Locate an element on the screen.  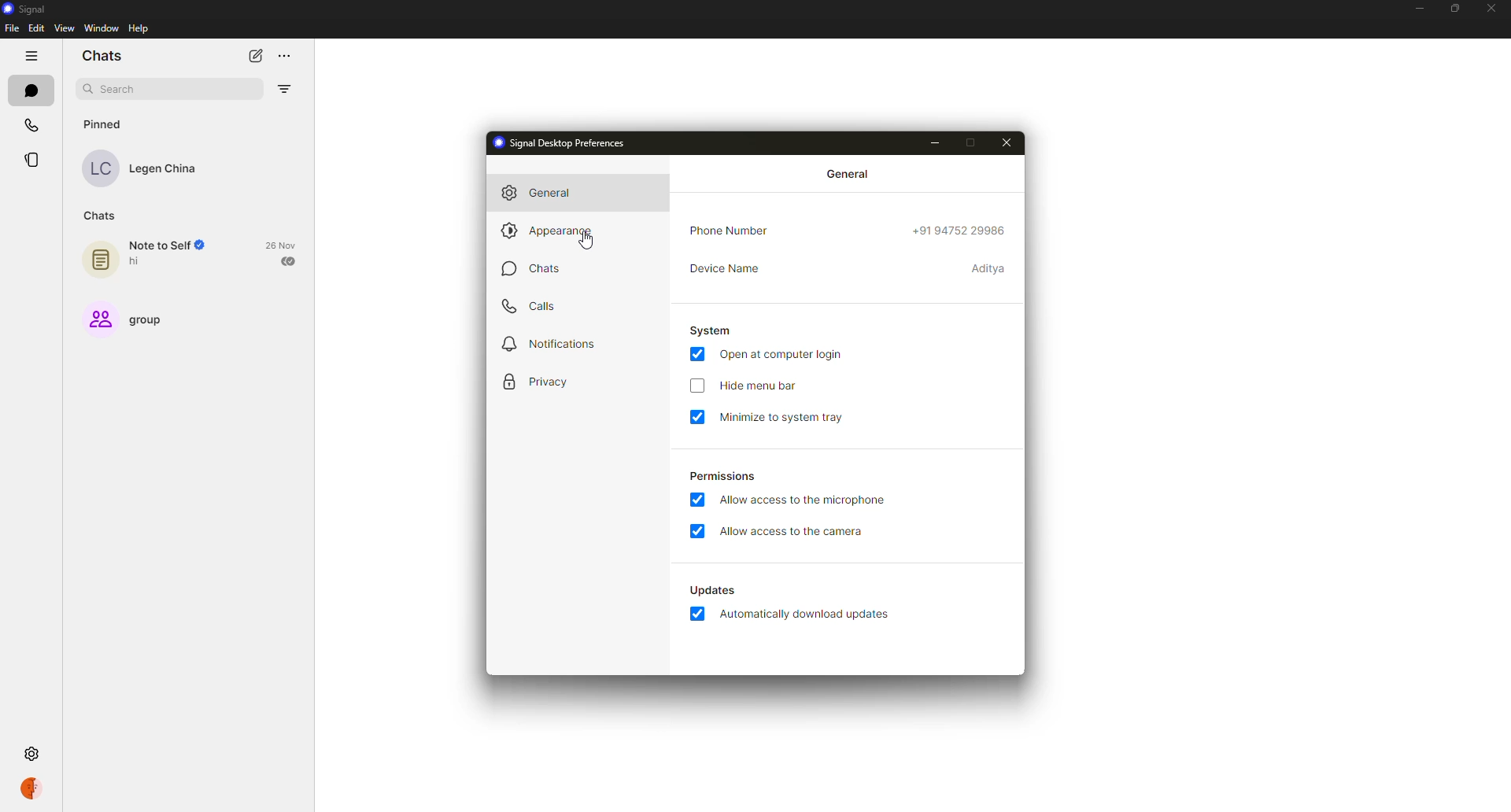
updates is located at coordinates (715, 591).